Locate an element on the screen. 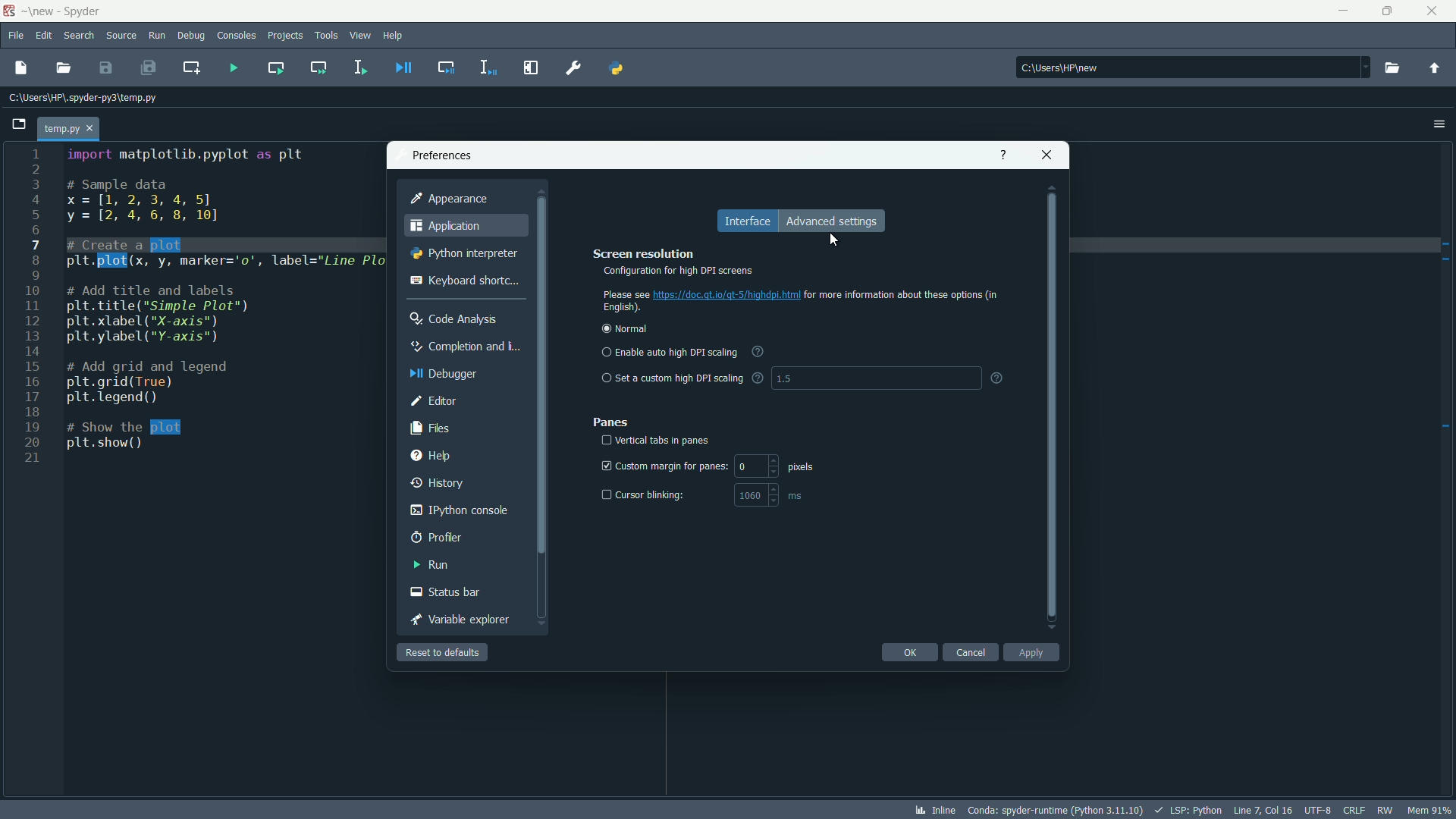 This screenshot has width=1456, height=819. options is located at coordinates (1441, 123).